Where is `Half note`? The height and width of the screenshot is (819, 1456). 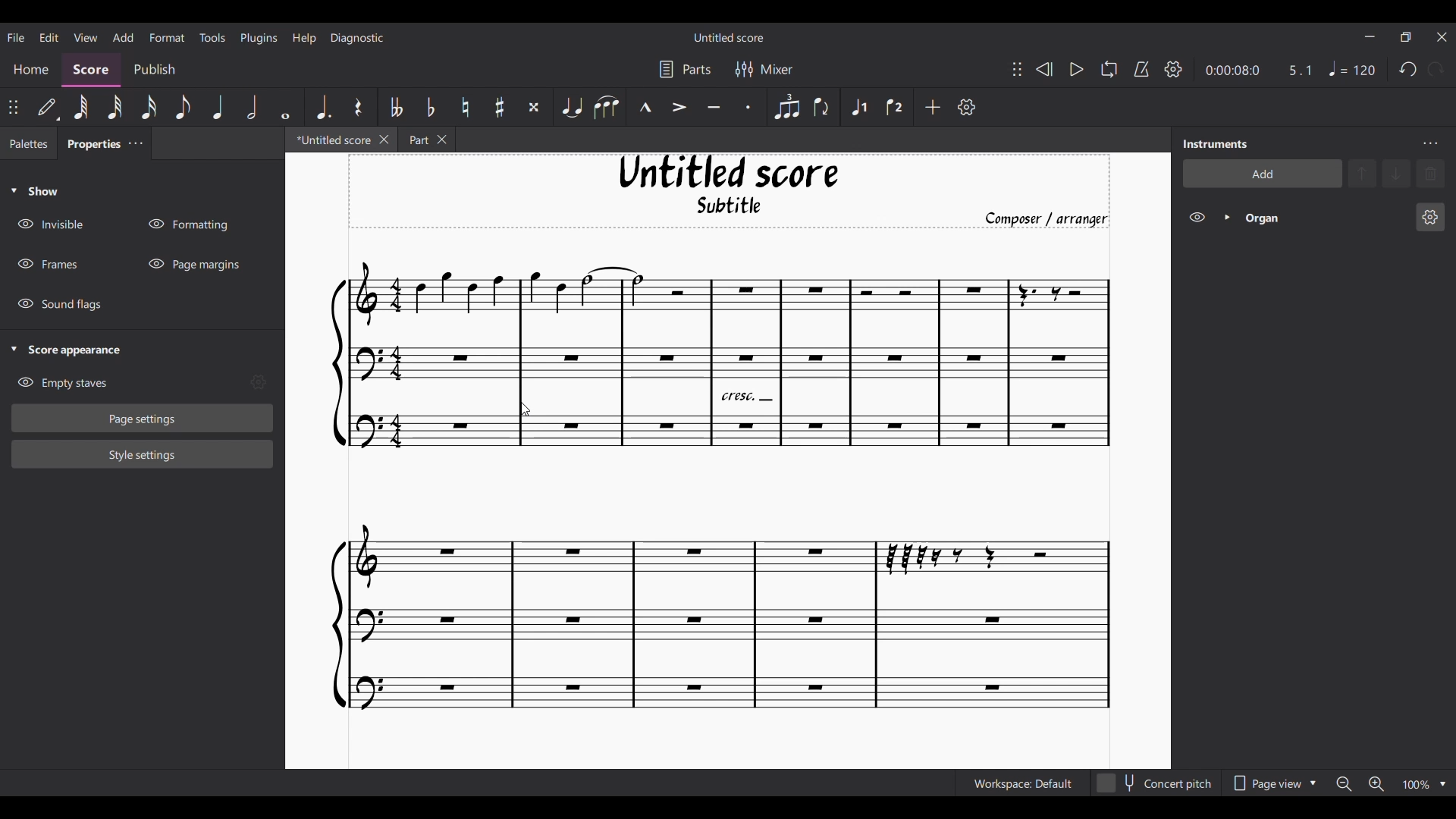 Half note is located at coordinates (253, 106).